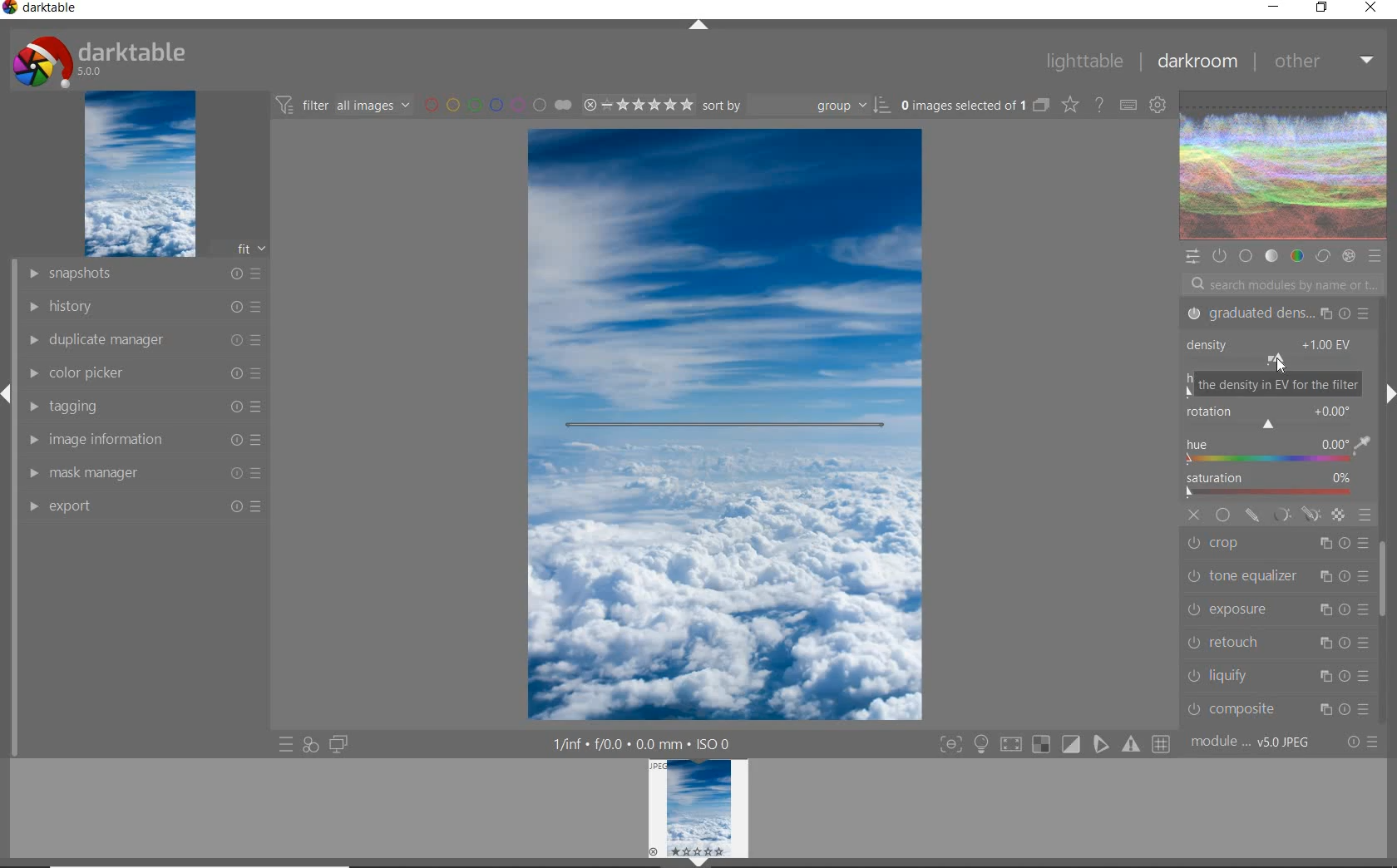 This screenshot has height=868, width=1397. Describe the element at coordinates (1278, 708) in the screenshot. I see `composite` at that location.